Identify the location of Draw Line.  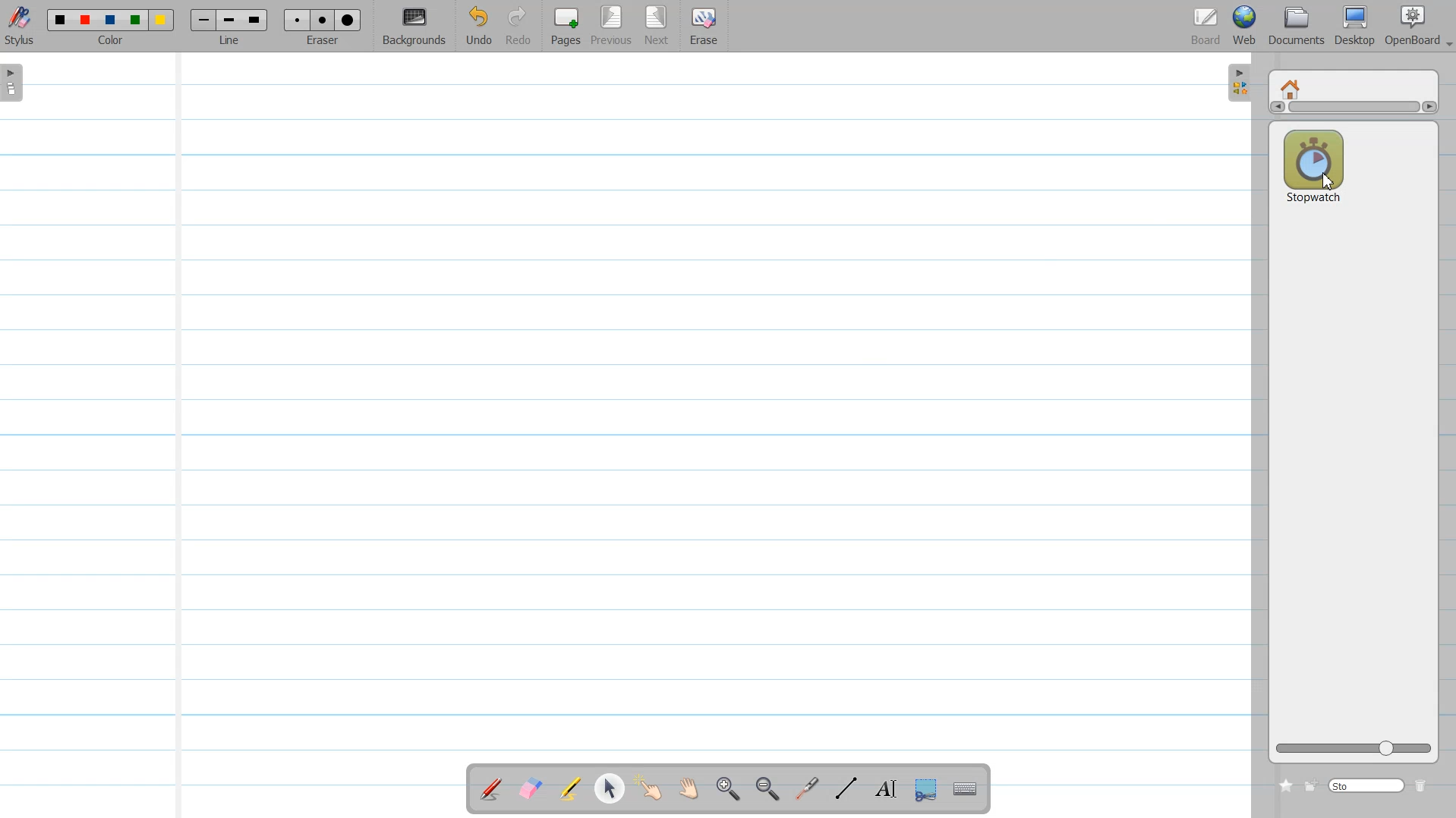
(848, 788).